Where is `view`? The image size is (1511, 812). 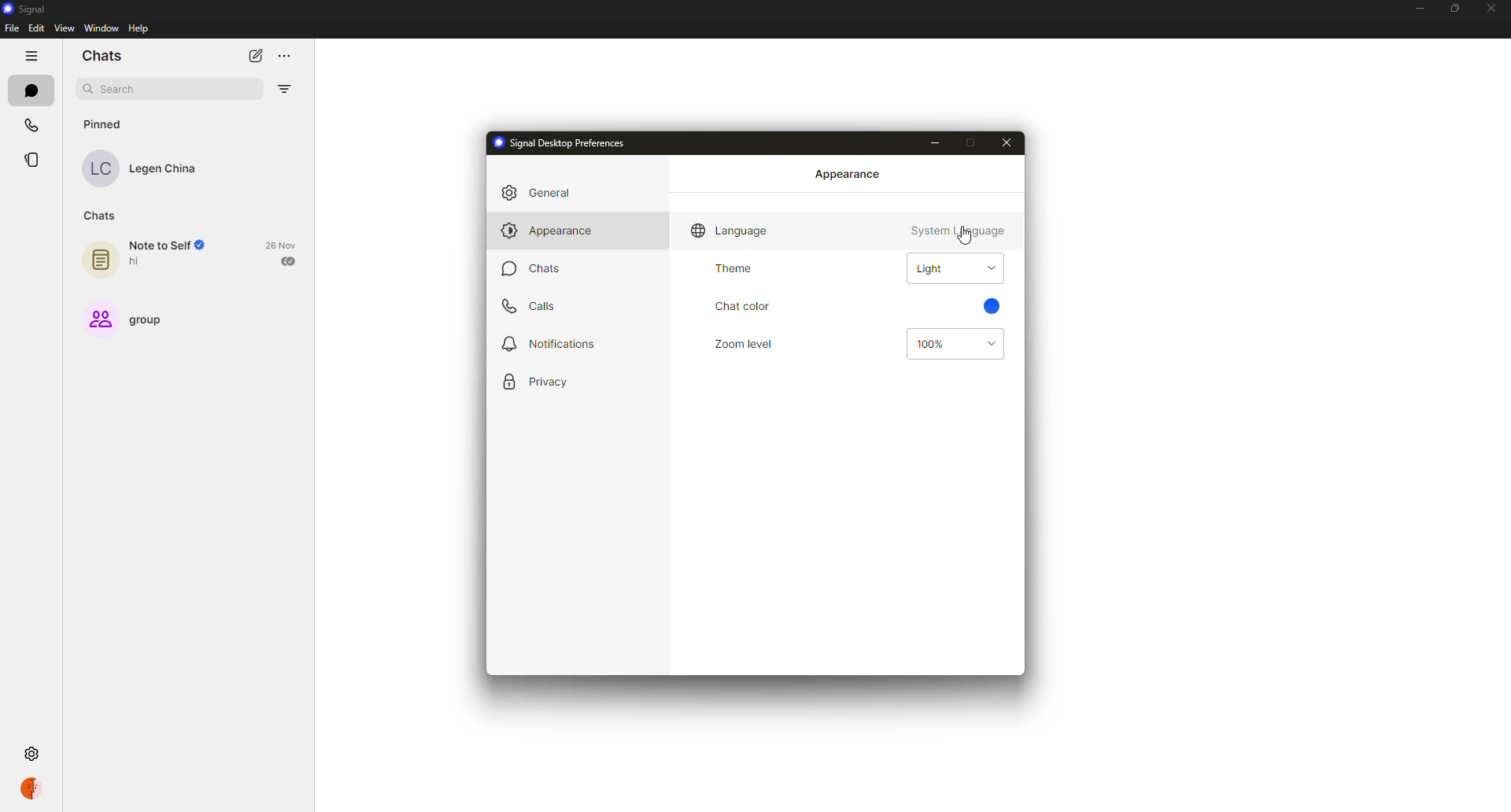 view is located at coordinates (63, 30).